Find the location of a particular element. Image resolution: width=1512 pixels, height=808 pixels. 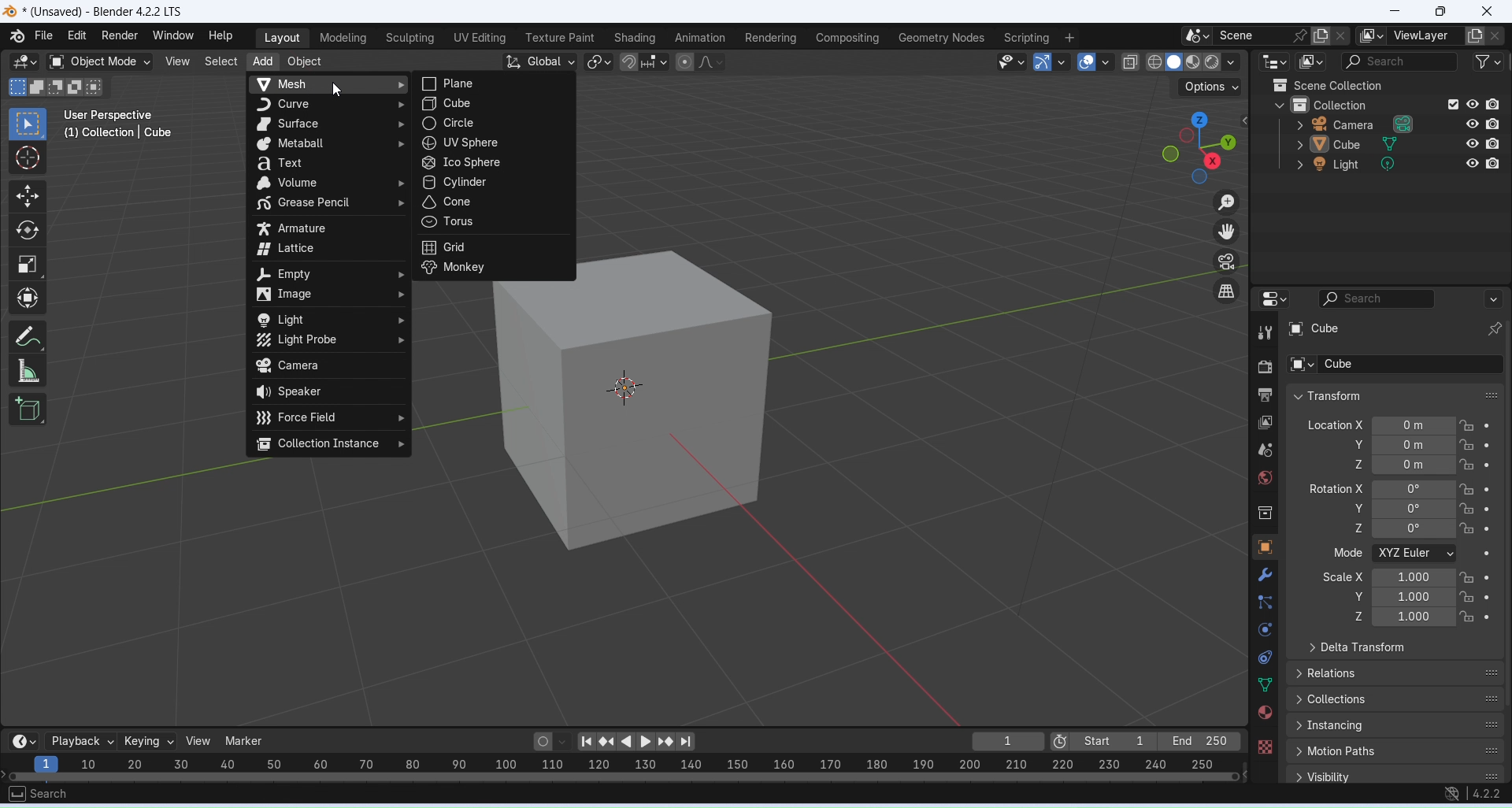

text is located at coordinates (332, 165).